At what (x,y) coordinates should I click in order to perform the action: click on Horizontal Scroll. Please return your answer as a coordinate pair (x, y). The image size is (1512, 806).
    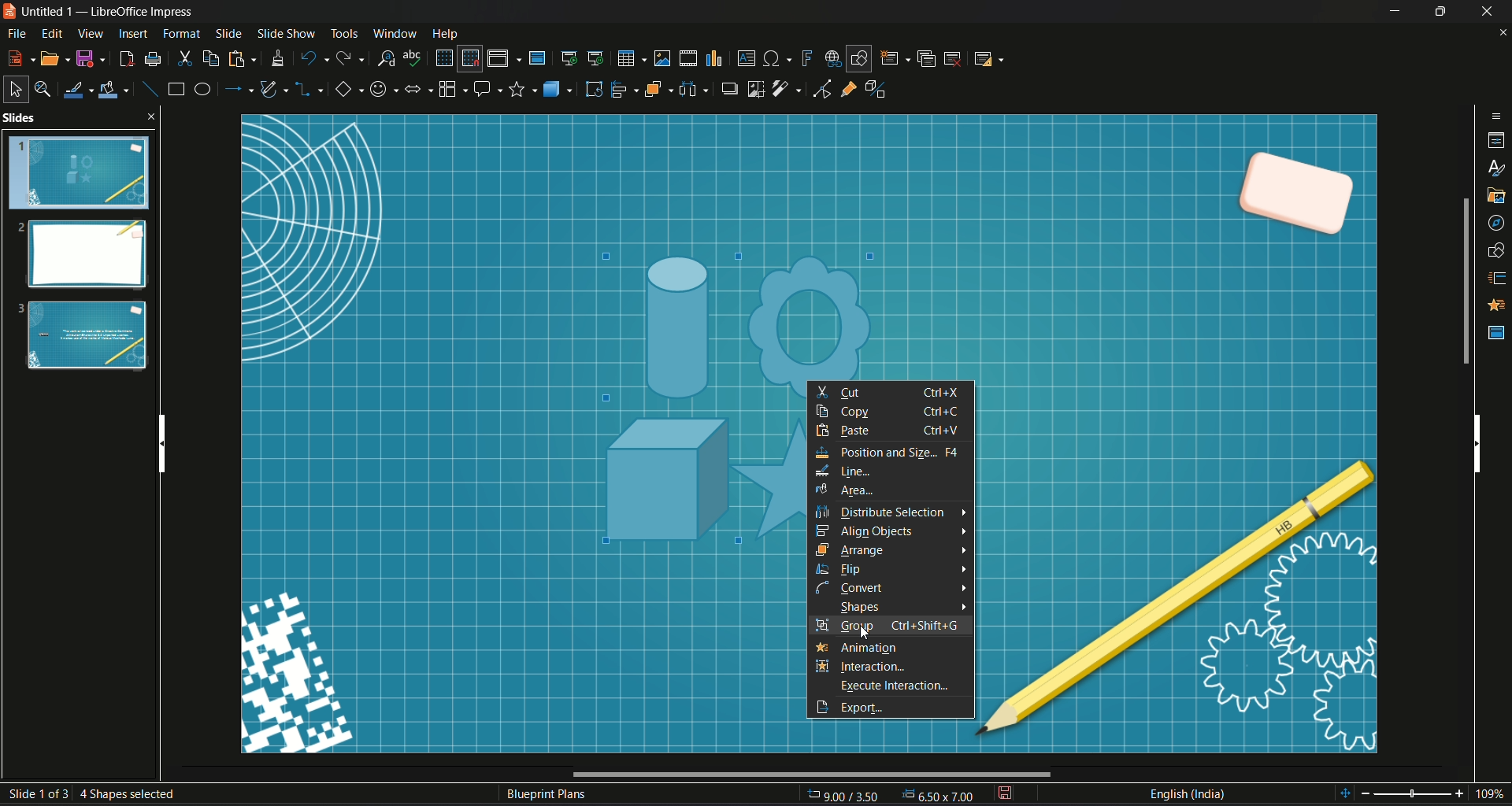
    Looking at the image, I should click on (809, 775).